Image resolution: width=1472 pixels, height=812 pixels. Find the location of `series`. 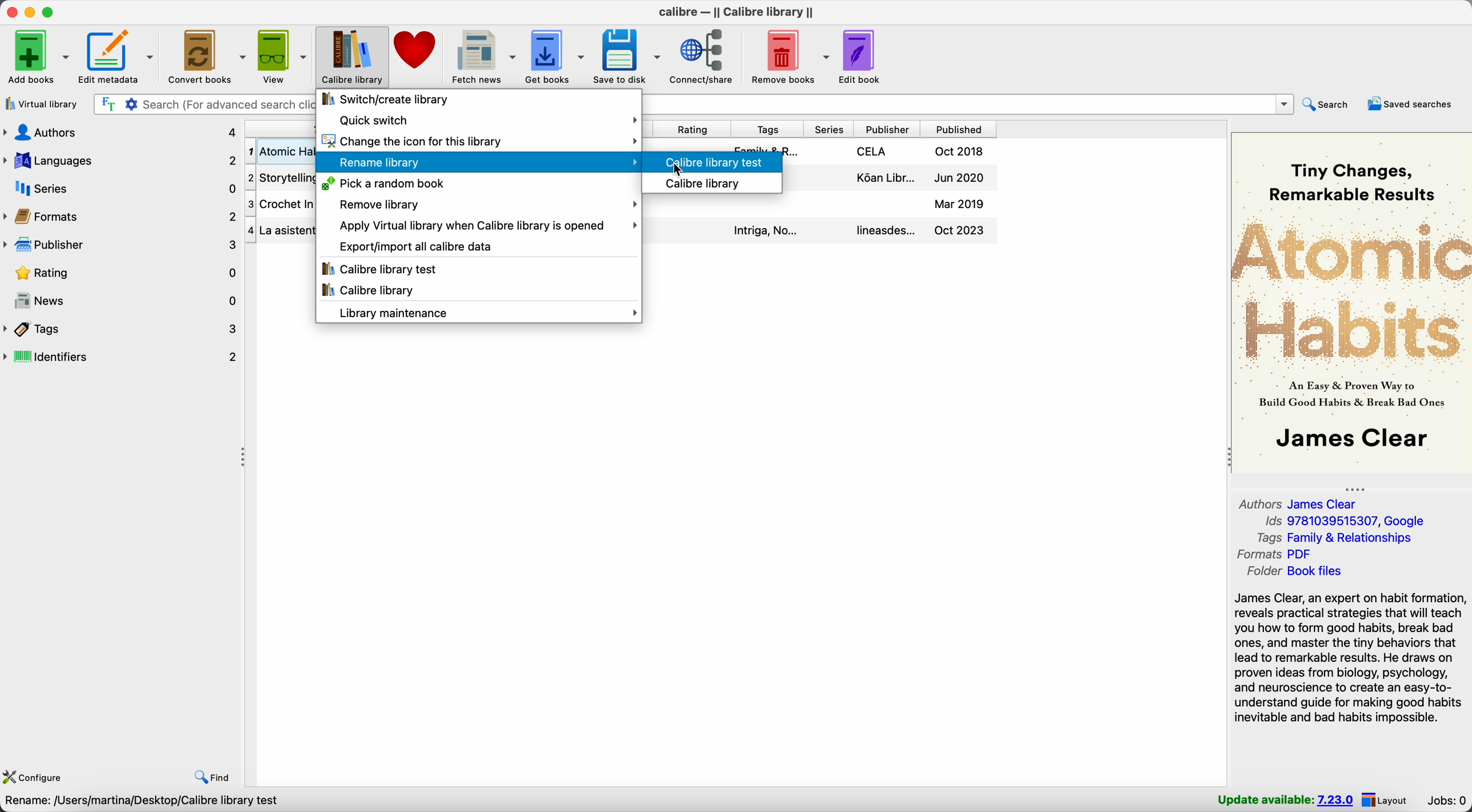

series is located at coordinates (122, 188).